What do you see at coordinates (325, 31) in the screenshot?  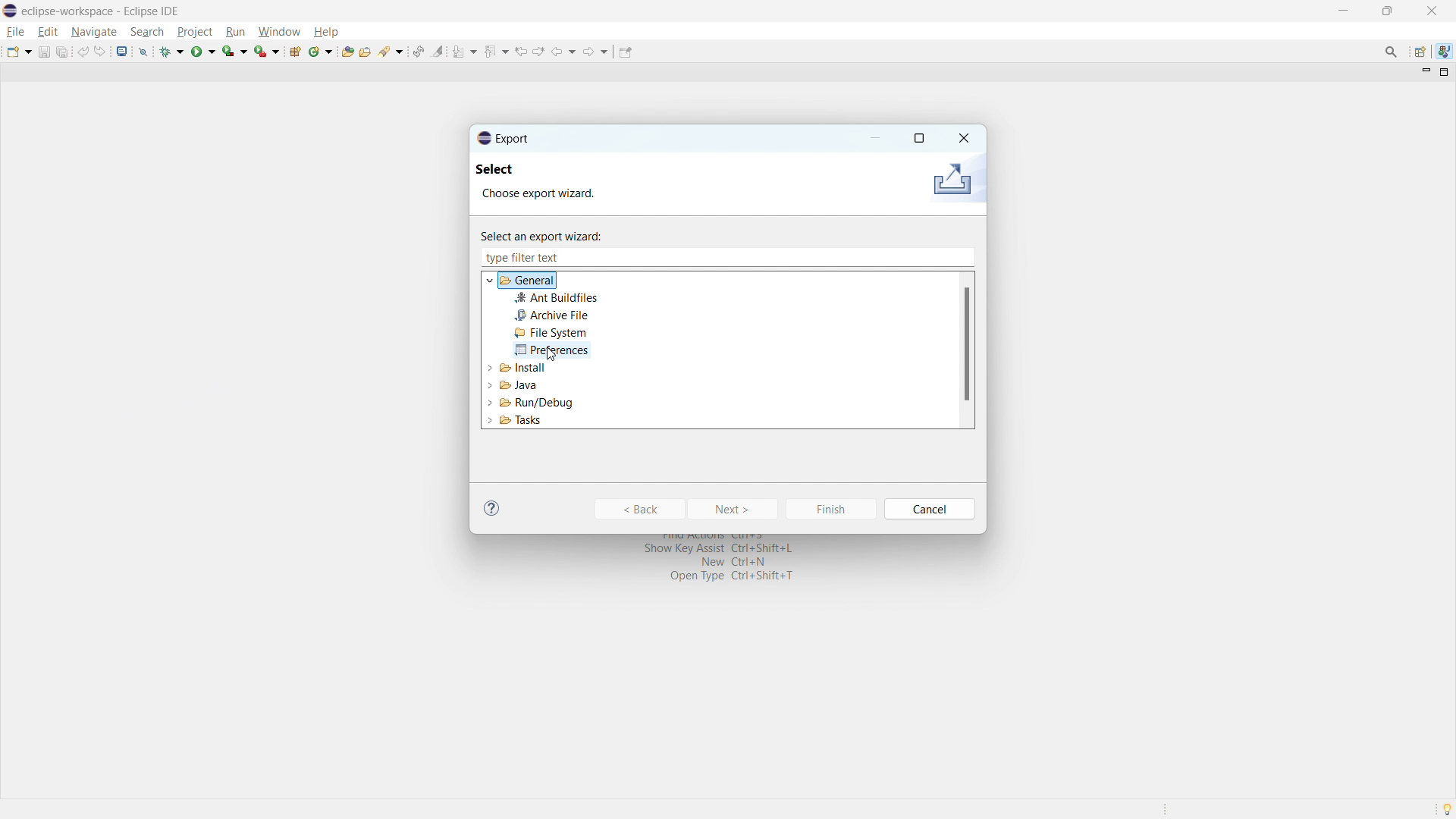 I see `help` at bounding box center [325, 31].